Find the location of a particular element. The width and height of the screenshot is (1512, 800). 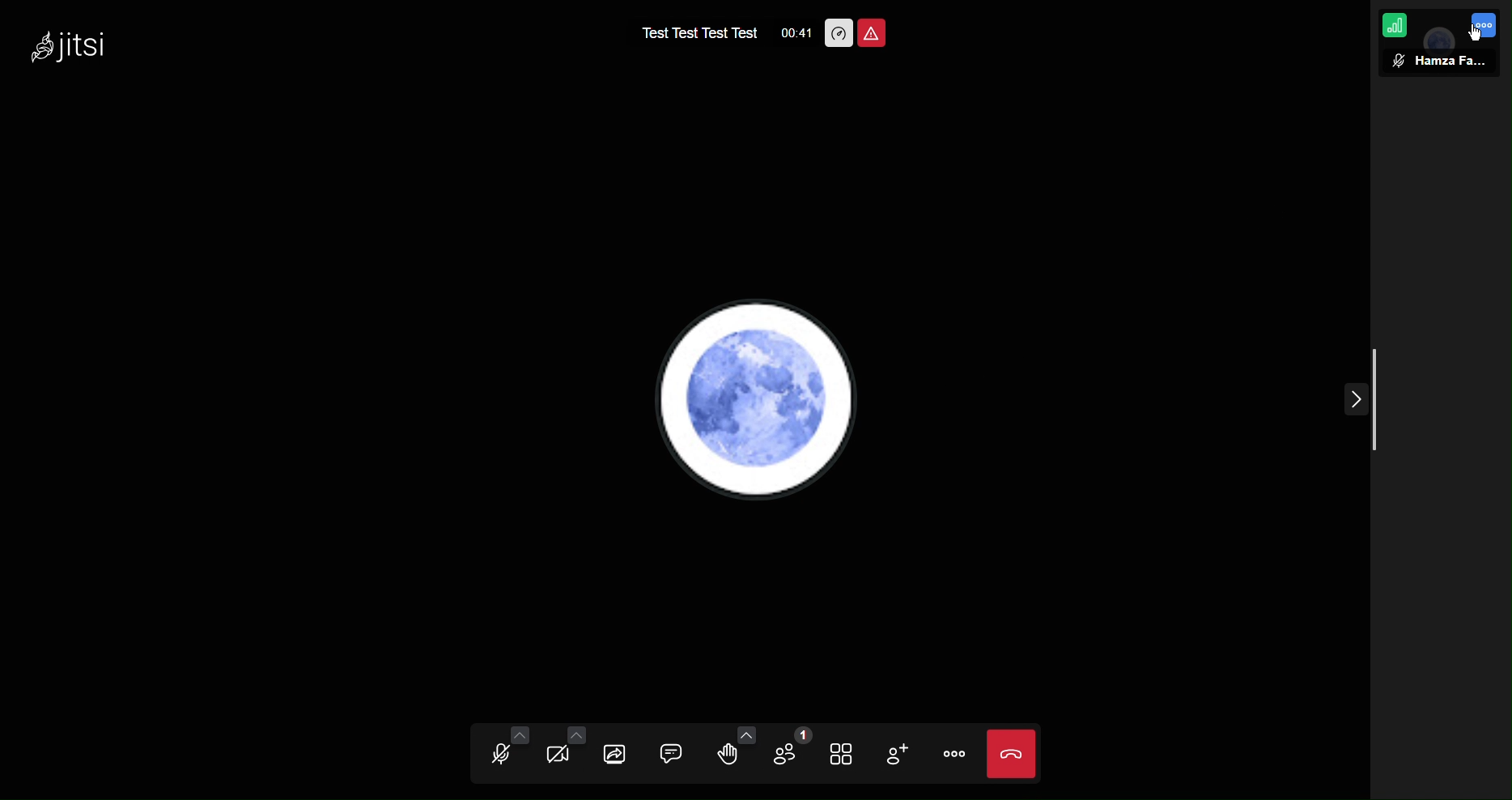

More is located at coordinates (952, 755).